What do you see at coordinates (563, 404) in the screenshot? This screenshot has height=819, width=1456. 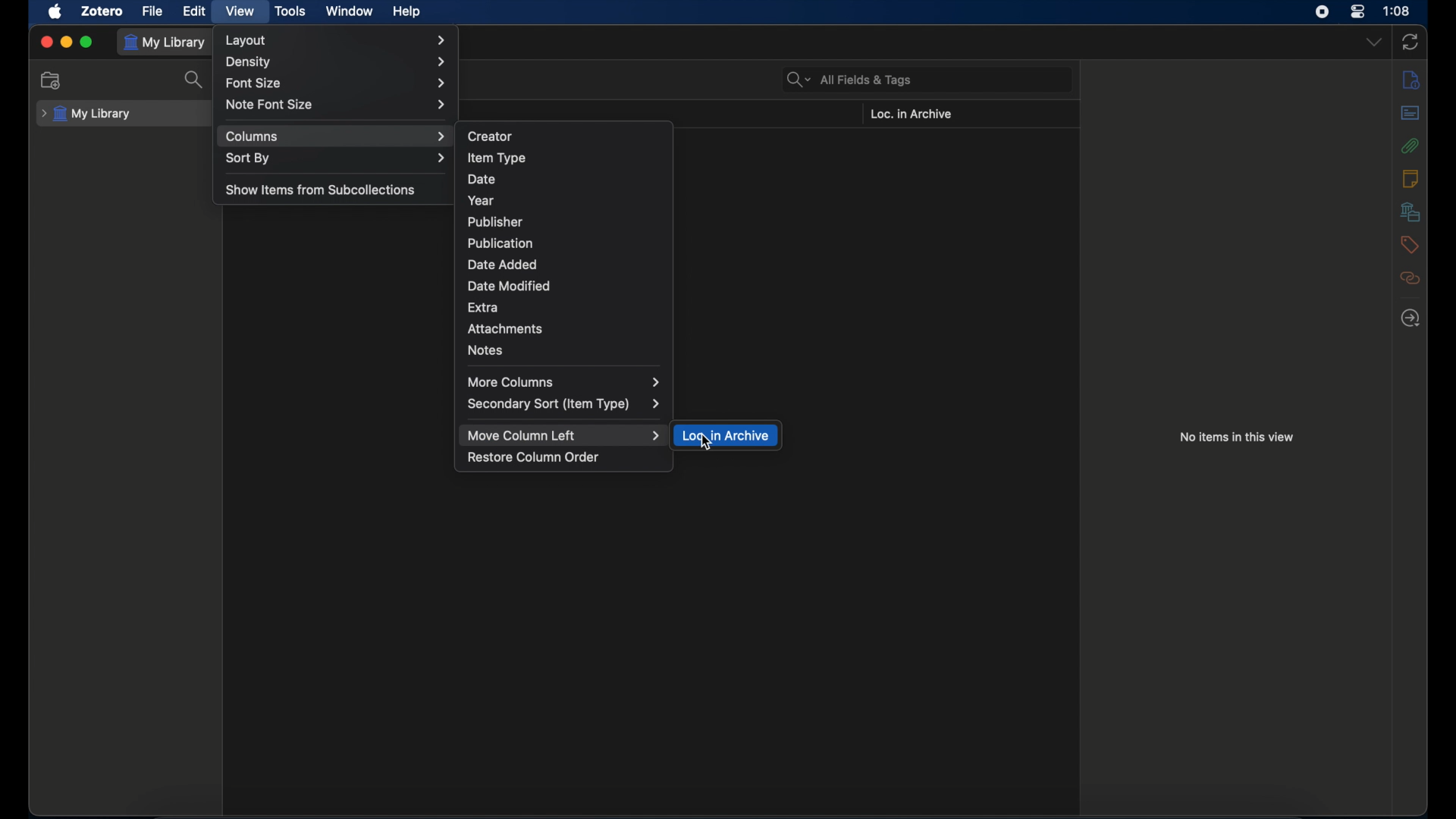 I see `secondary sort` at bounding box center [563, 404].